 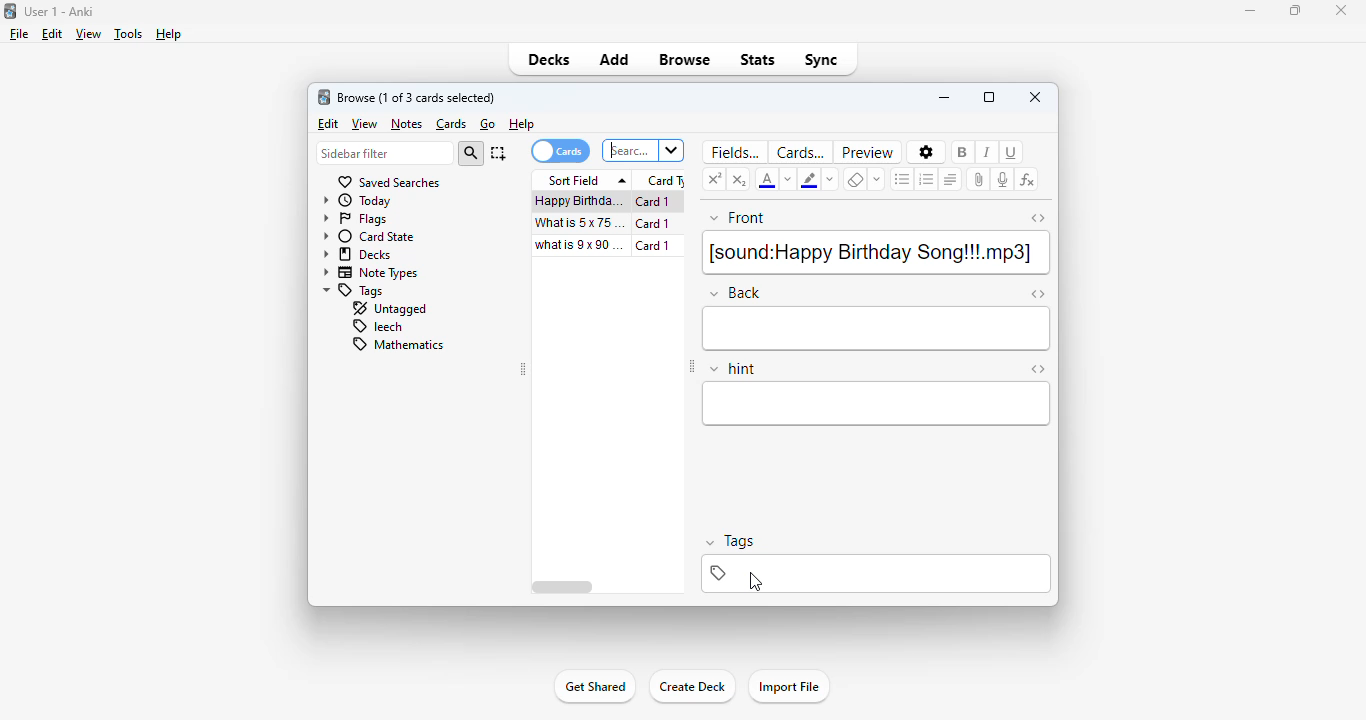 I want to click on change color, so click(x=828, y=178).